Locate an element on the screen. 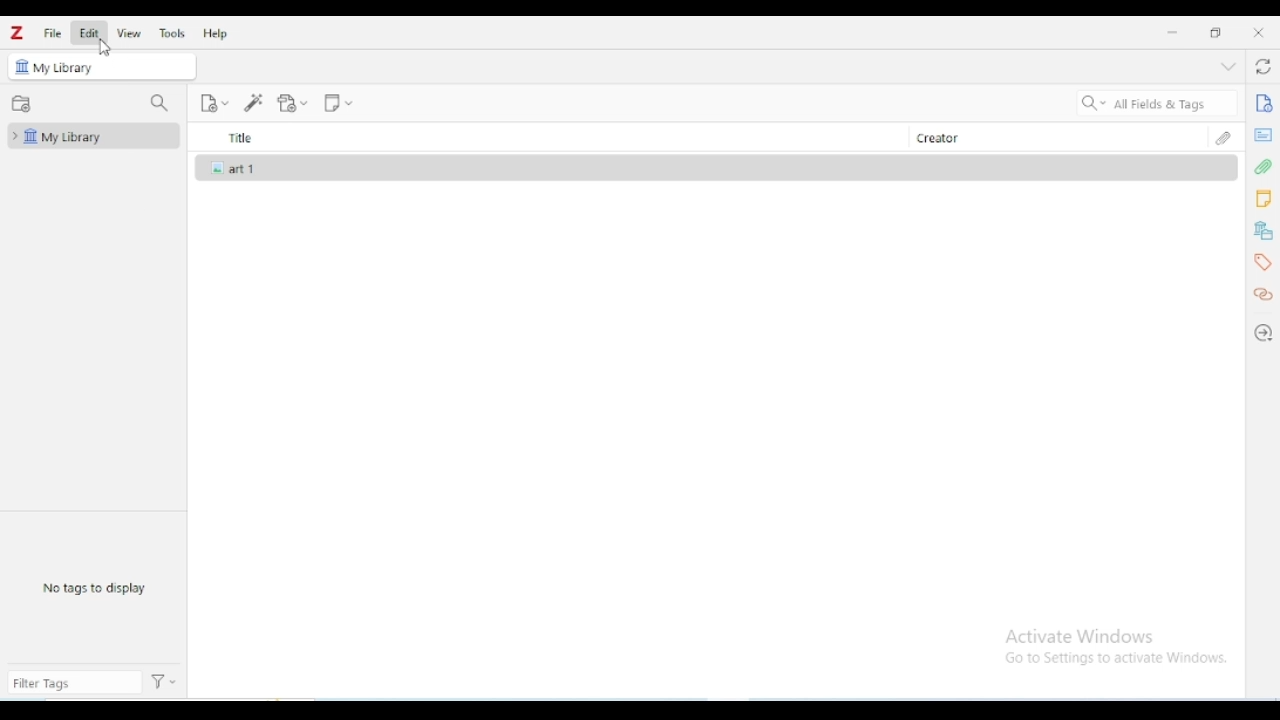 This screenshot has height=720, width=1280. close is located at coordinates (1259, 32).